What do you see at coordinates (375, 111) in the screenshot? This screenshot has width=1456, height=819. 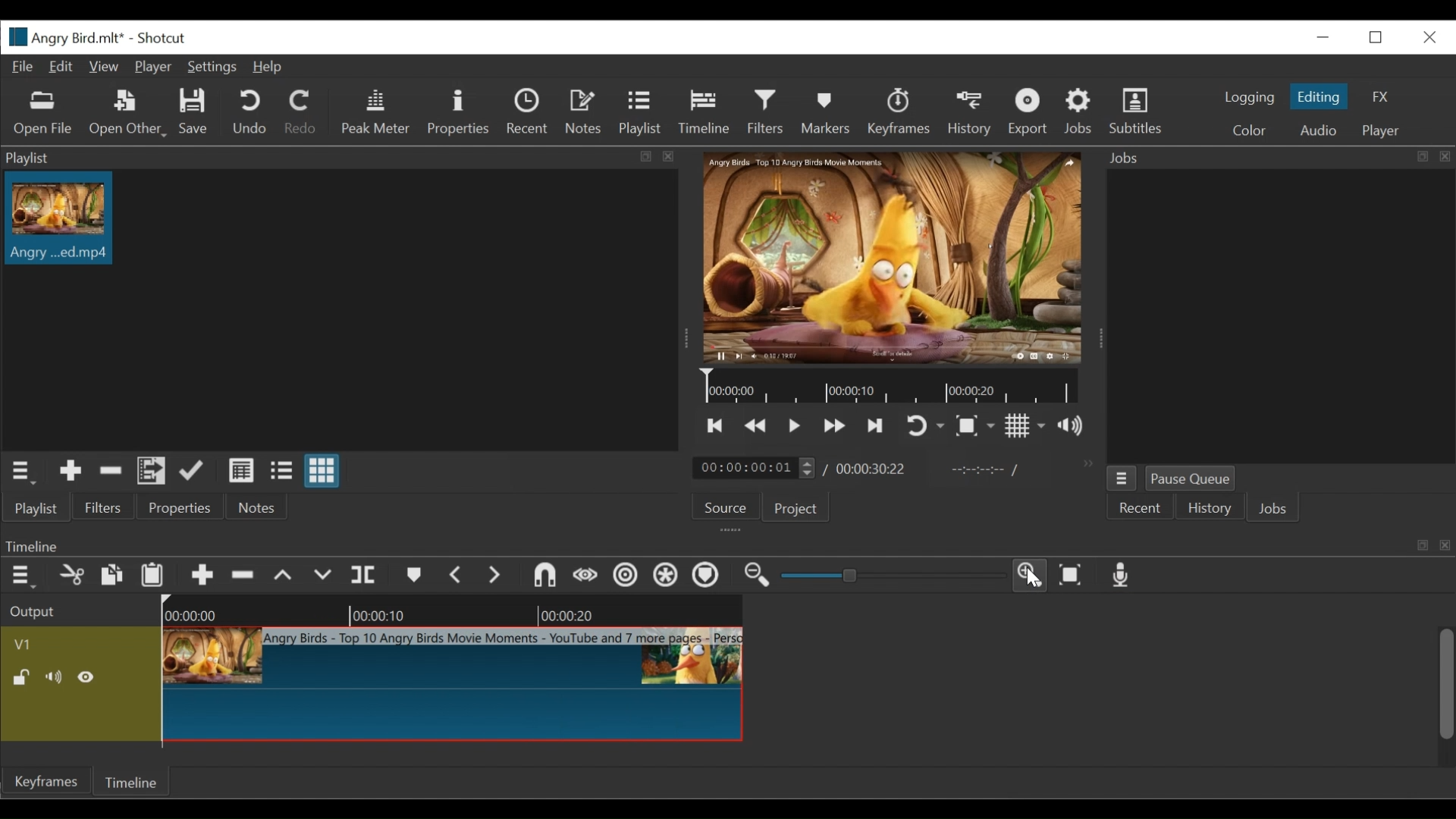 I see `Peak Meter` at bounding box center [375, 111].